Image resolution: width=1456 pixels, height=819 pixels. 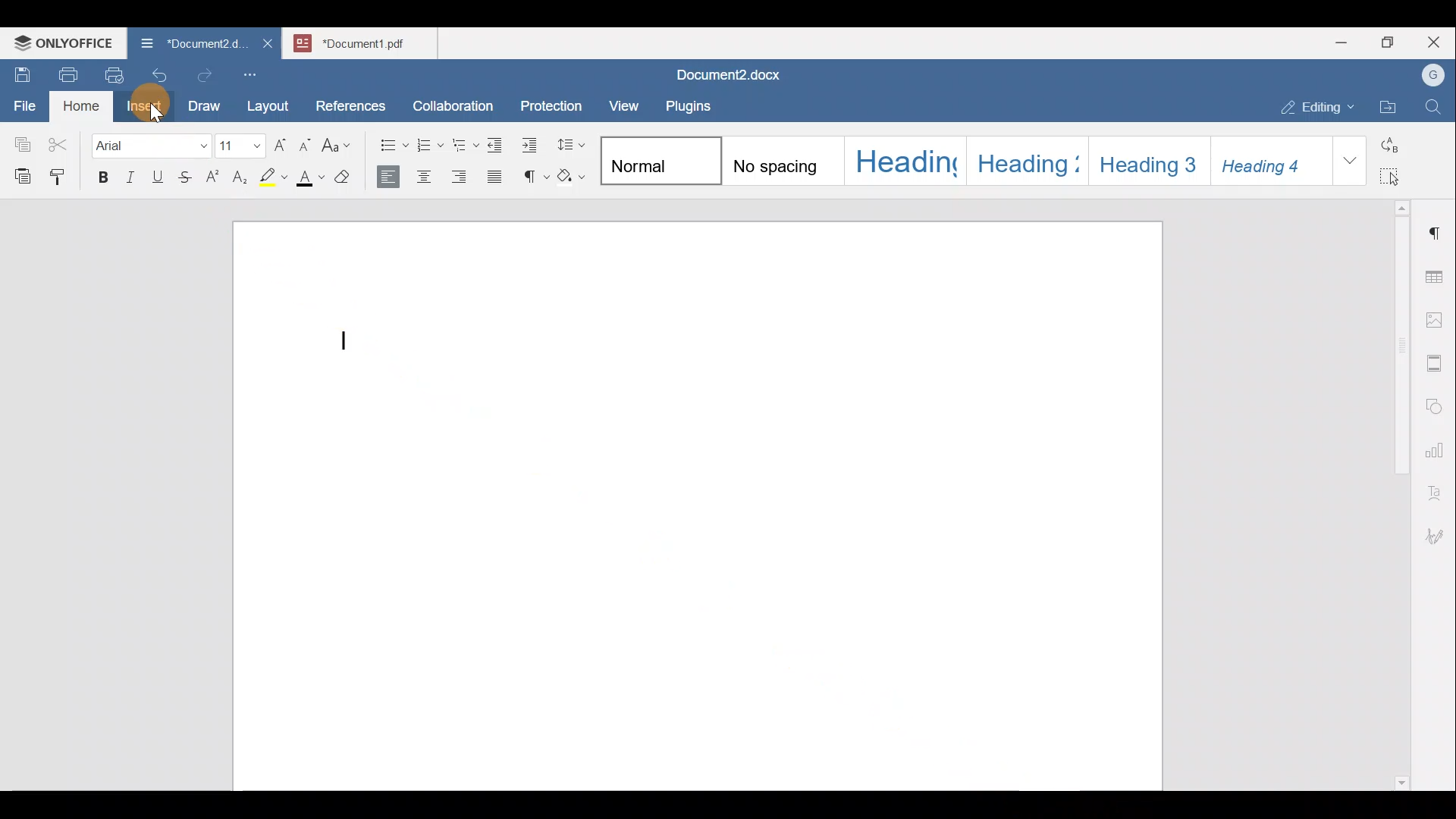 I want to click on Increase font size, so click(x=278, y=146).